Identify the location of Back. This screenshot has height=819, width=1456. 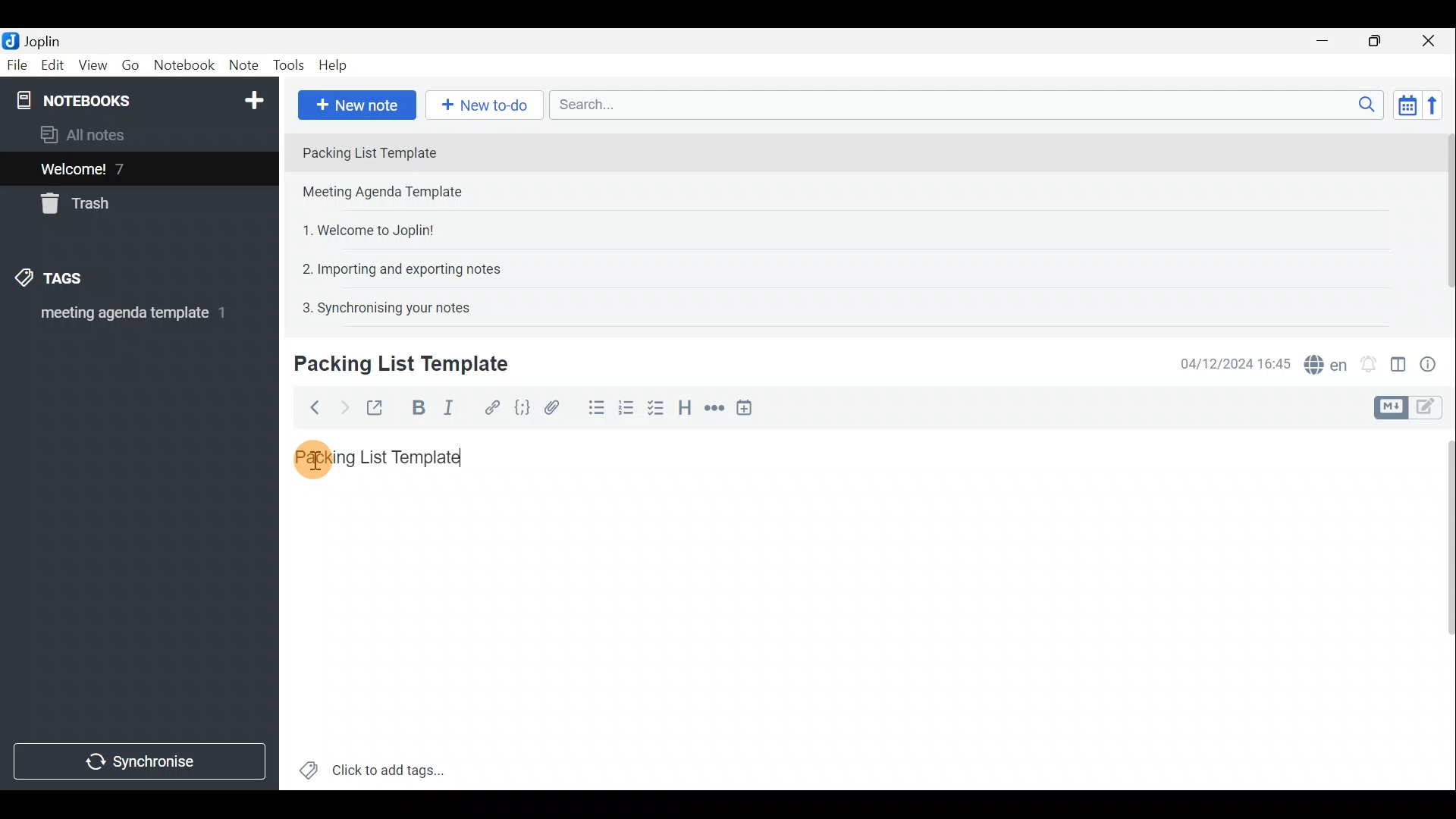
(312, 407).